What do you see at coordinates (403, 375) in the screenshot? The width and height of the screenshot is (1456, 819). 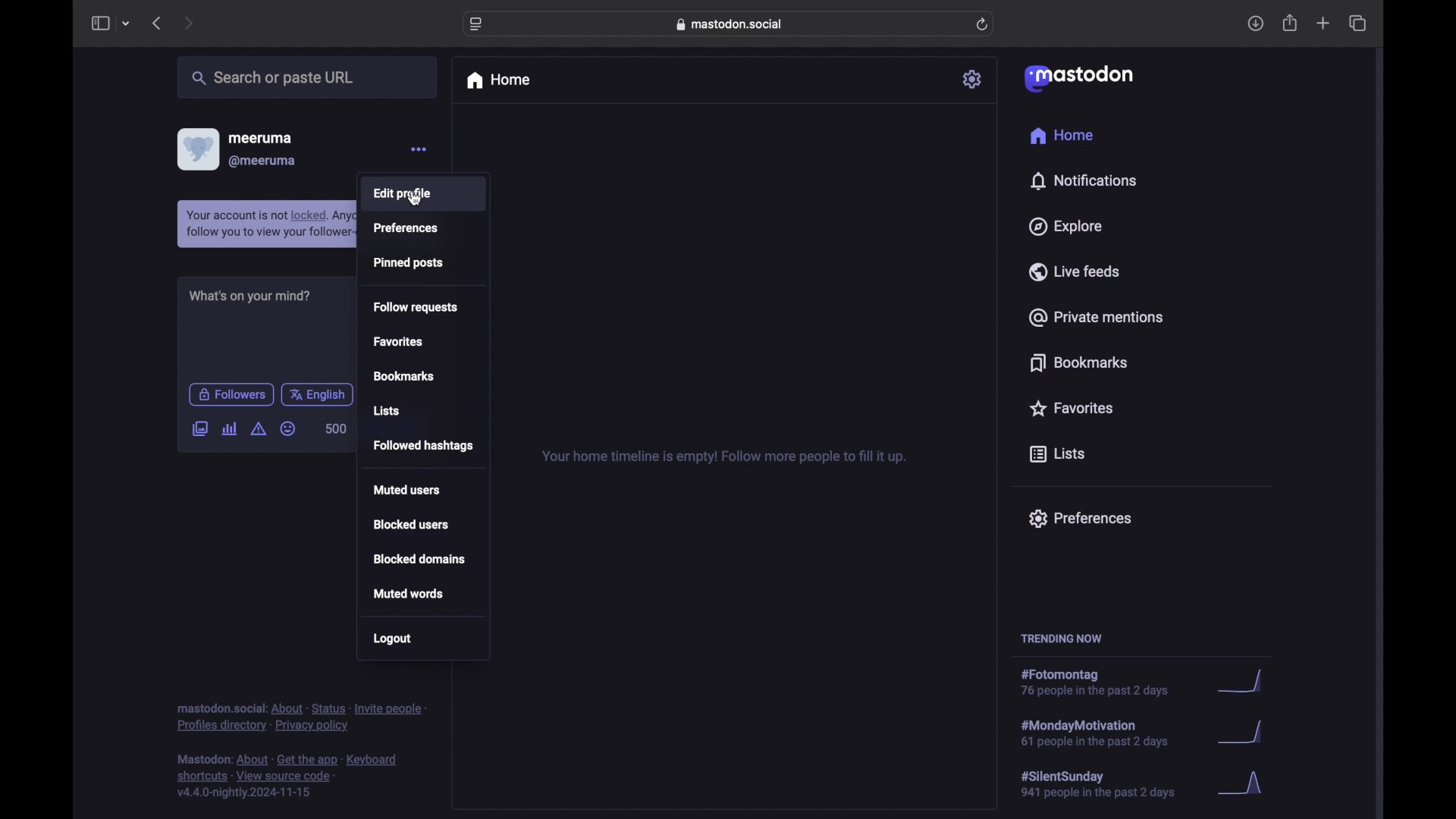 I see `bookmarks` at bounding box center [403, 375].